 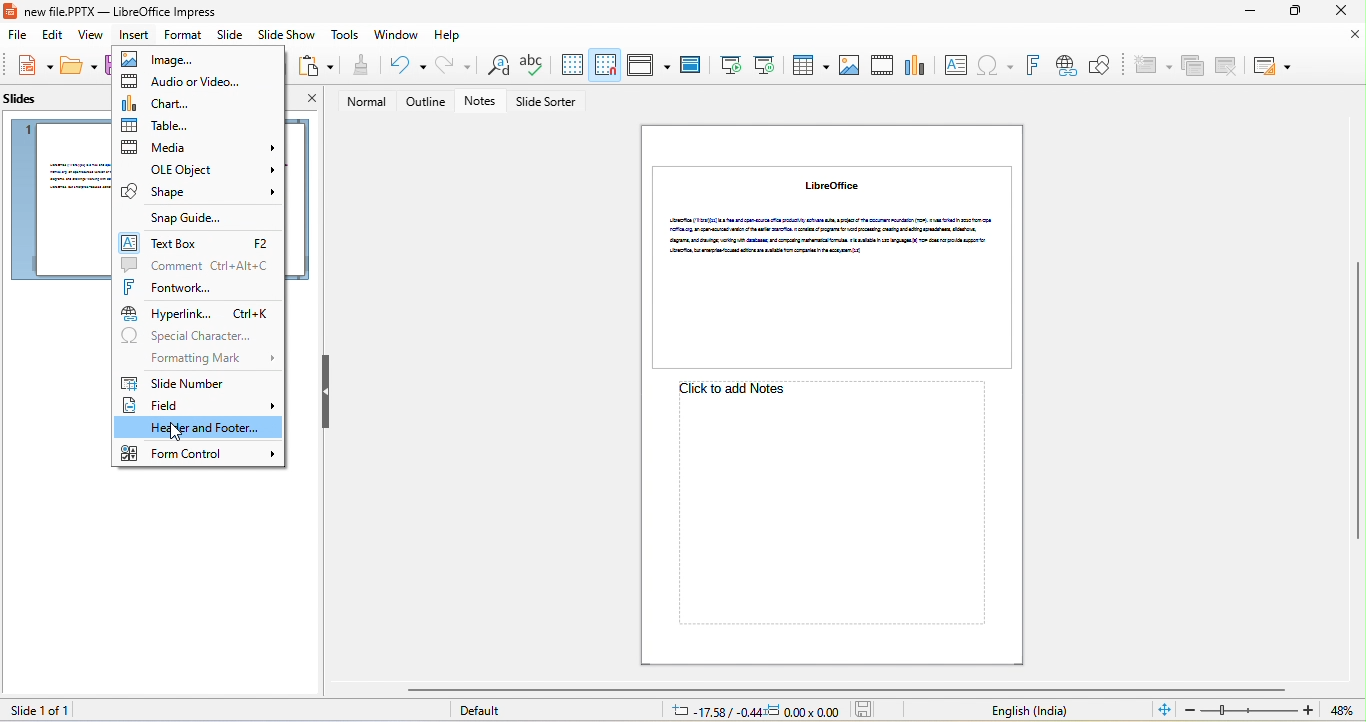 What do you see at coordinates (1029, 711) in the screenshot?
I see `text language` at bounding box center [1029, 711].